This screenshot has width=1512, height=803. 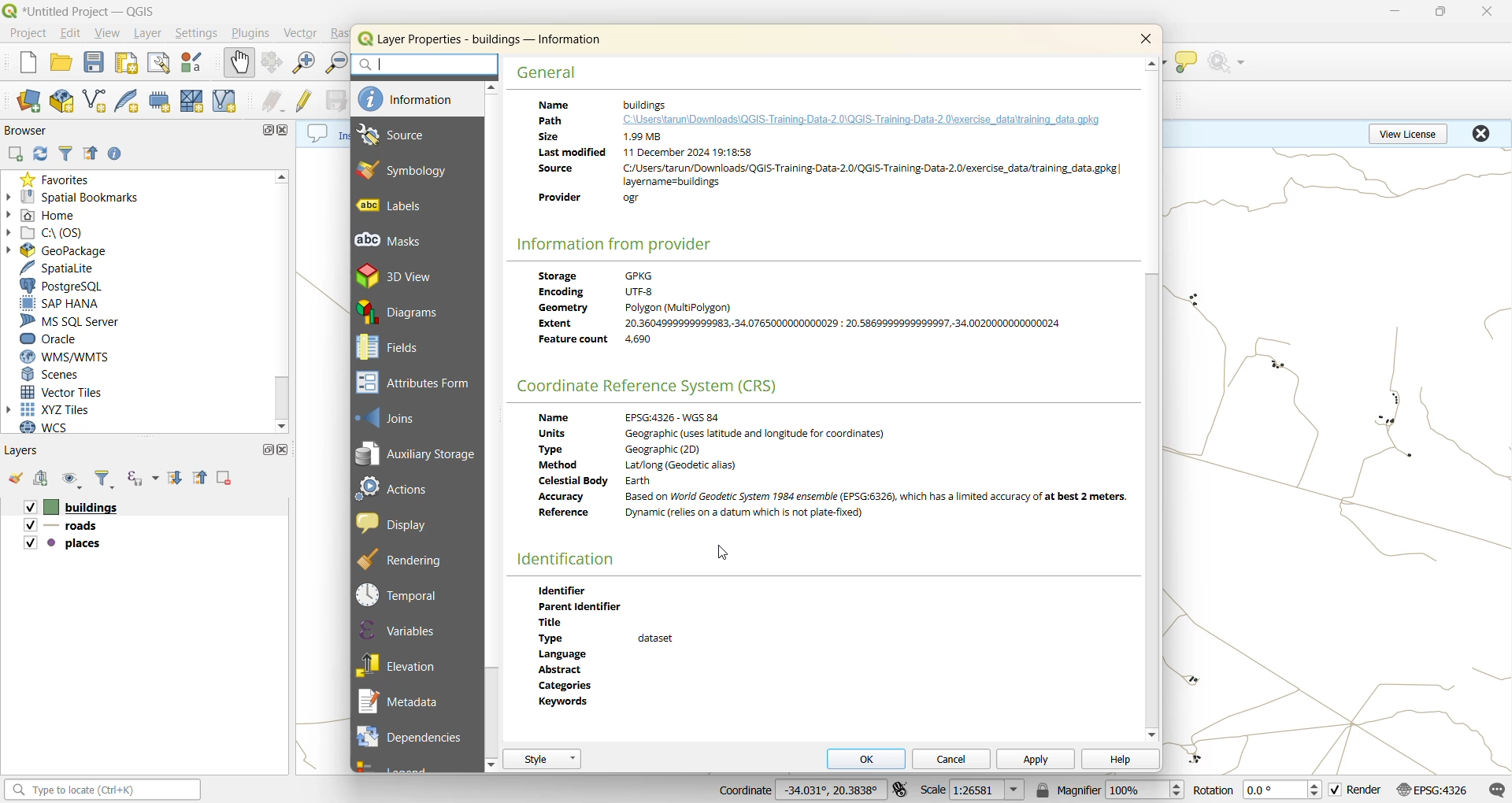 I want to click on places, so click(x=68, y=542).